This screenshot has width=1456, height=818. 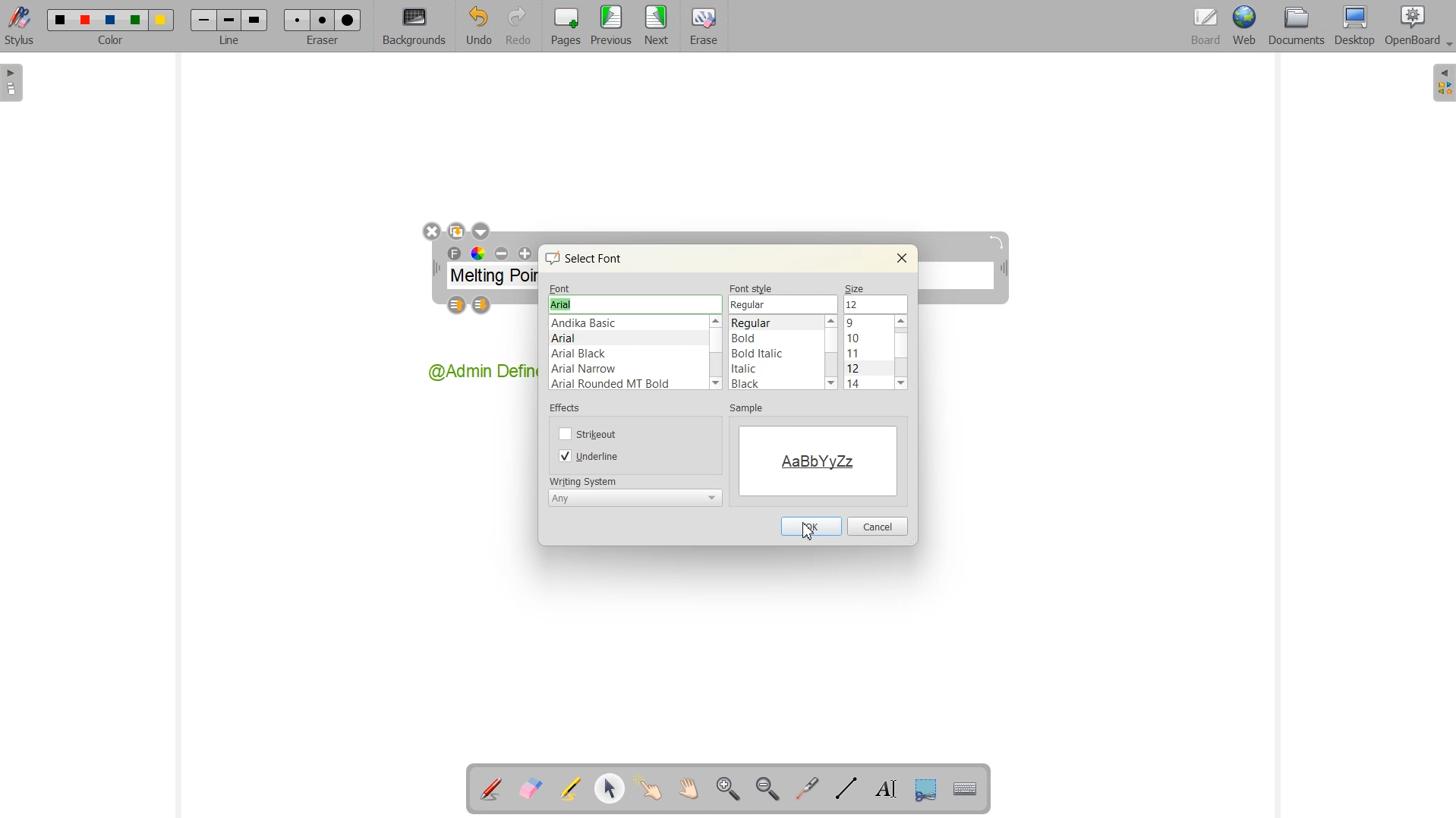 I want to click on Duplicate, so click(x=456, y=231).